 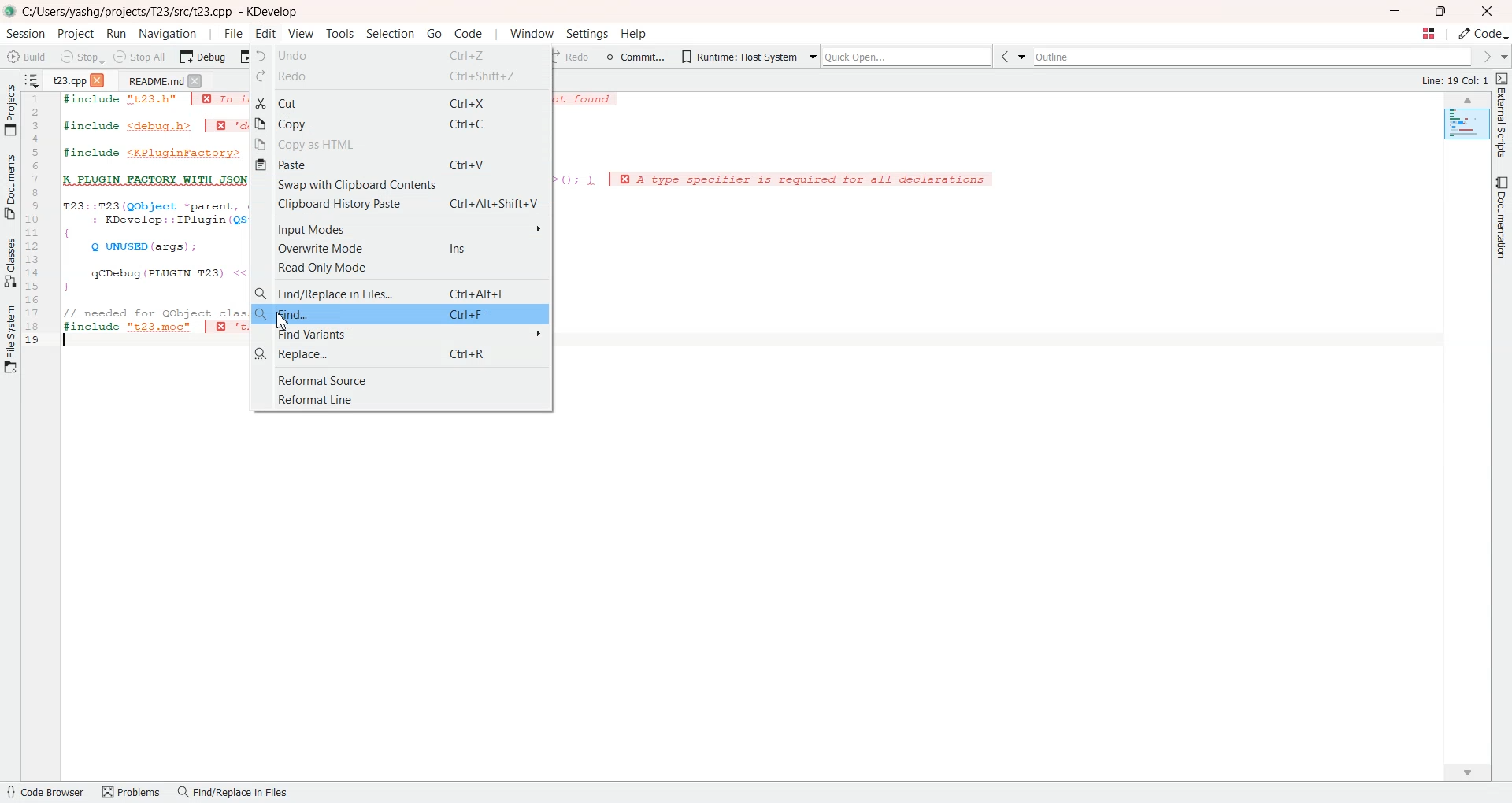 What do you see at coordinates (391, 34) in the screenshot?
I see `Selection` at bounding box center [391, 34].